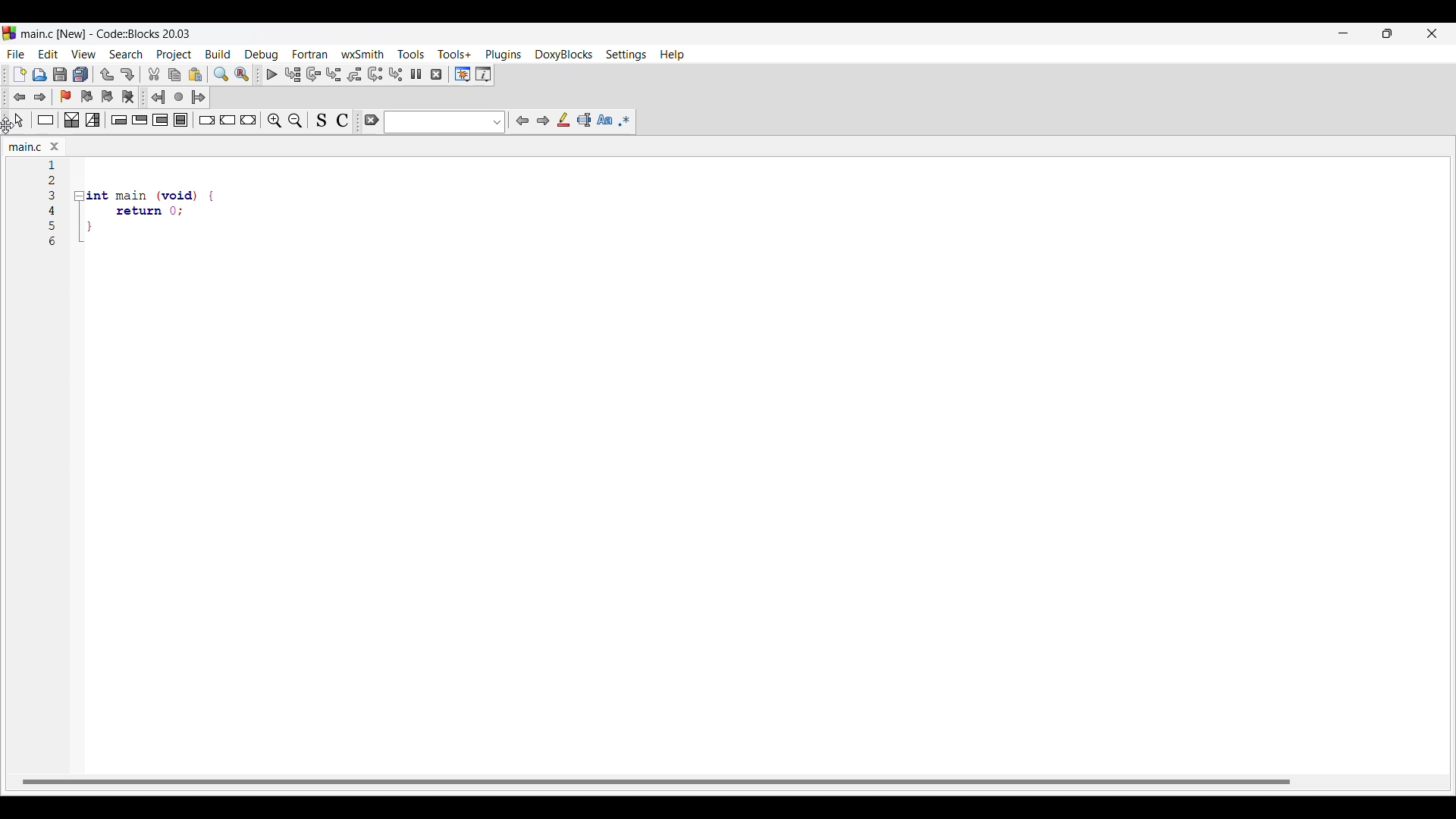  I want to click on Copy, so click(174, 75).